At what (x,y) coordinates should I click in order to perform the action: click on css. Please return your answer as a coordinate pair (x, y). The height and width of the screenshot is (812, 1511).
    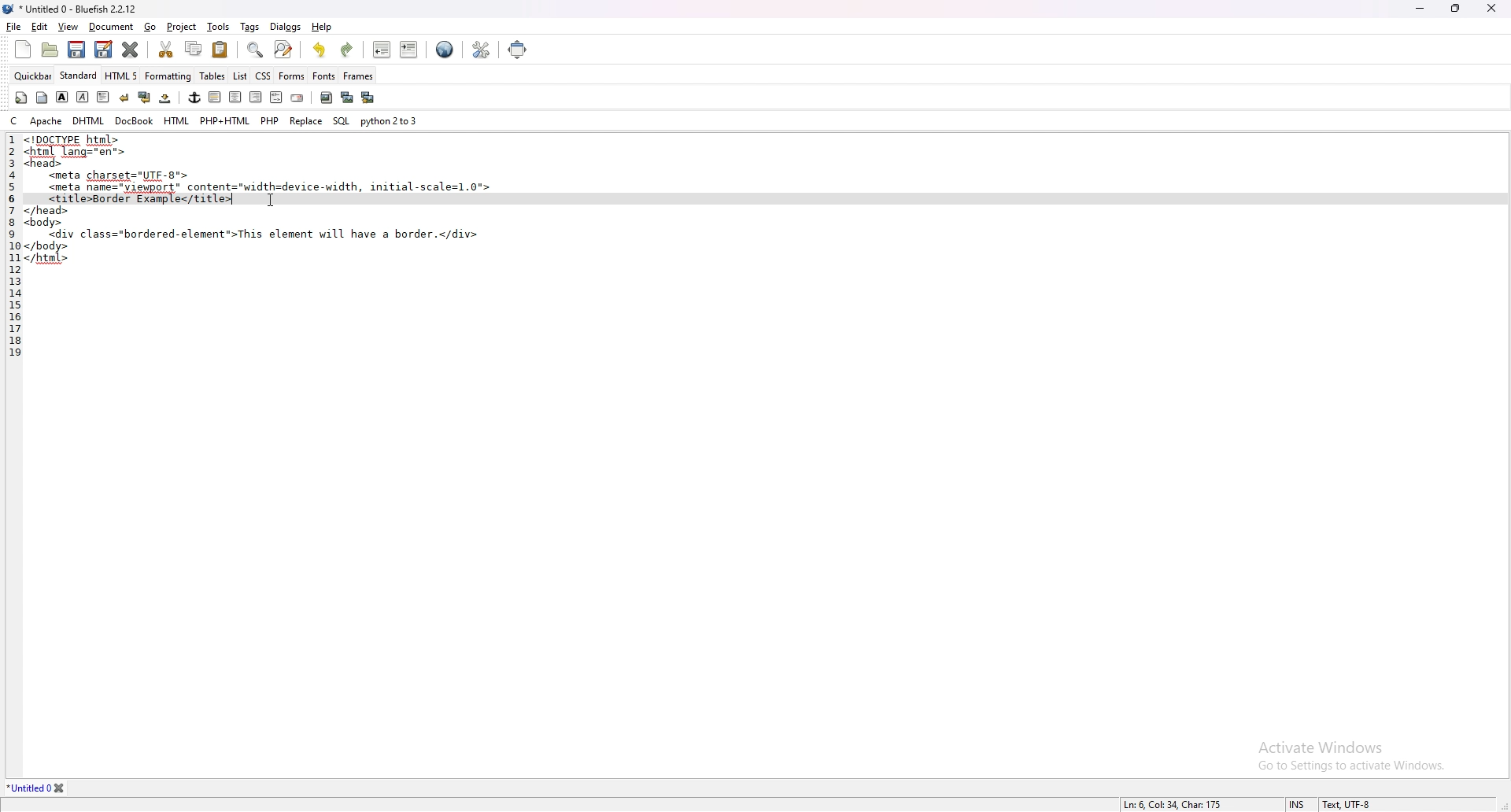
    Looking at the image, I should click on (264, 76).